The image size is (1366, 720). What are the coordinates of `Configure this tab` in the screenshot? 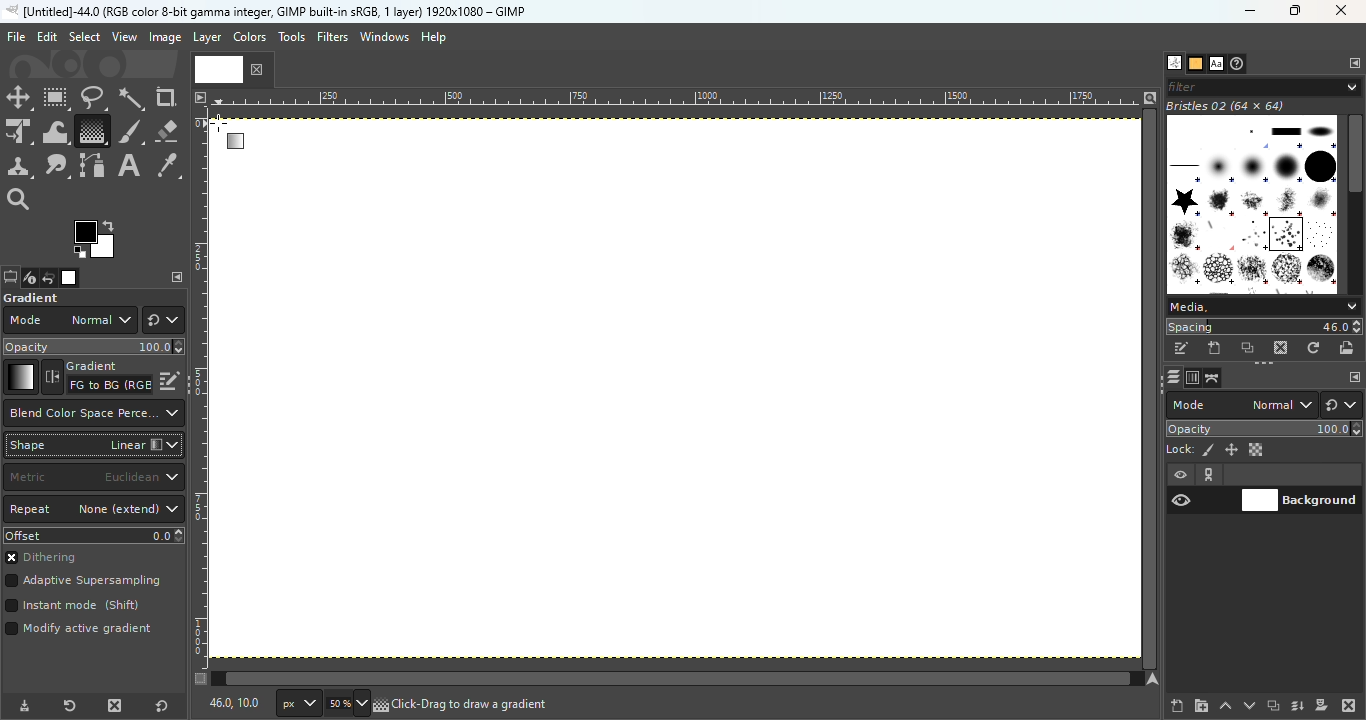 It's located at (1353, 378).